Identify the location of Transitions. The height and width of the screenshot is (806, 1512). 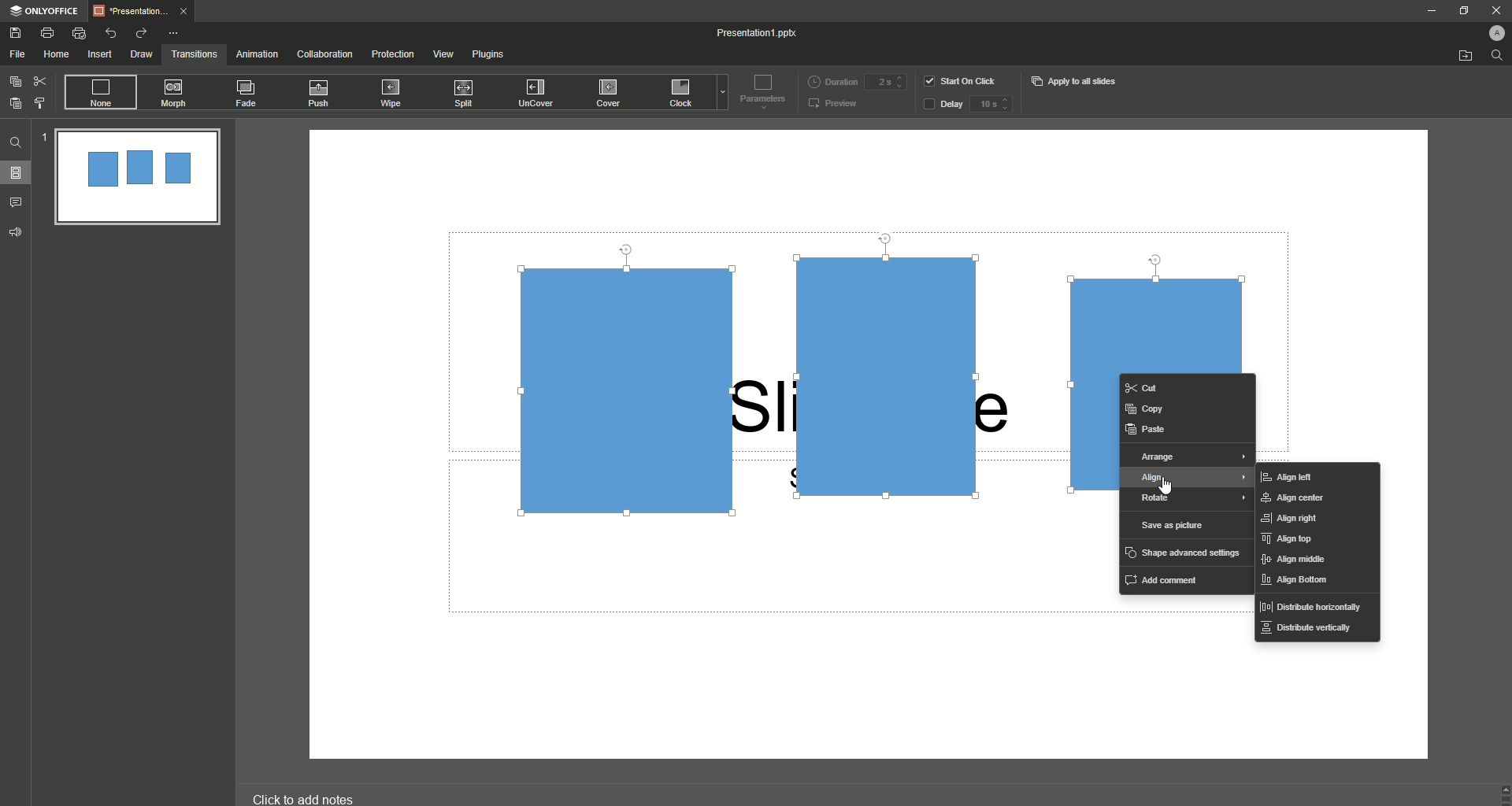
(195, 53).